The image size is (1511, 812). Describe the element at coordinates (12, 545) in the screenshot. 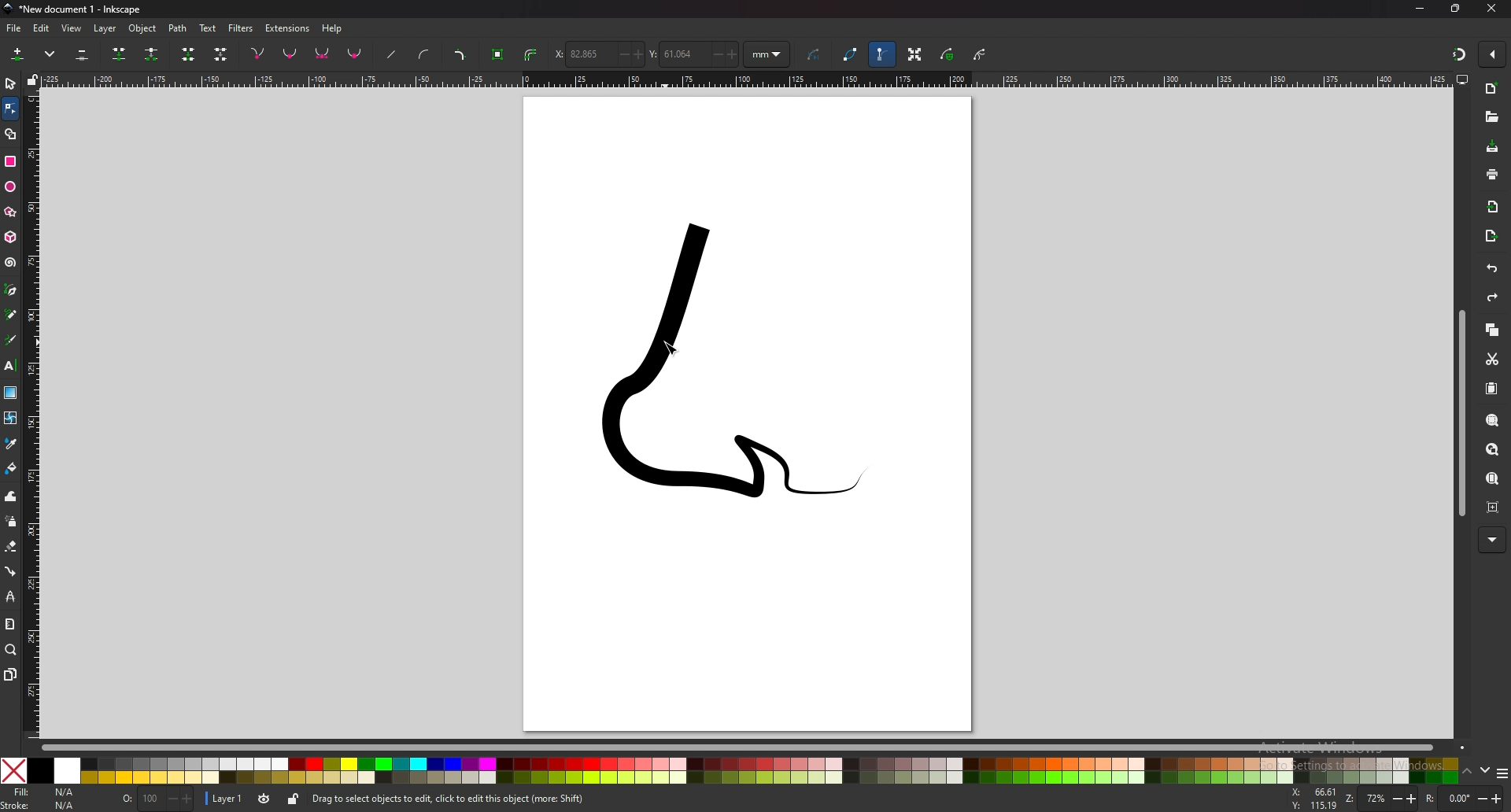

I see `eraser` at that location.